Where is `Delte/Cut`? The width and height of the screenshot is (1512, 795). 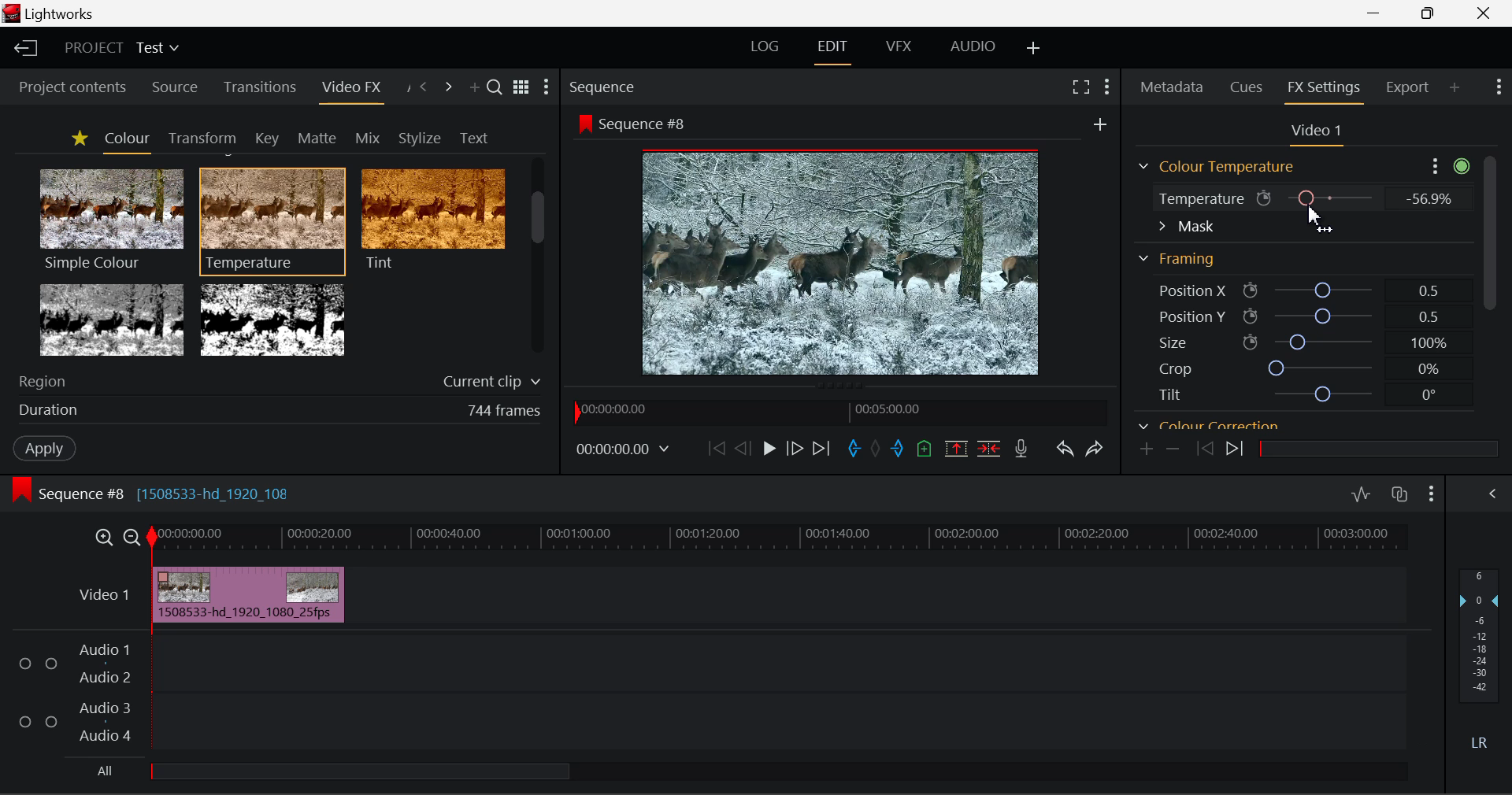 Delte/Cut is located at coordinates (991, 449).